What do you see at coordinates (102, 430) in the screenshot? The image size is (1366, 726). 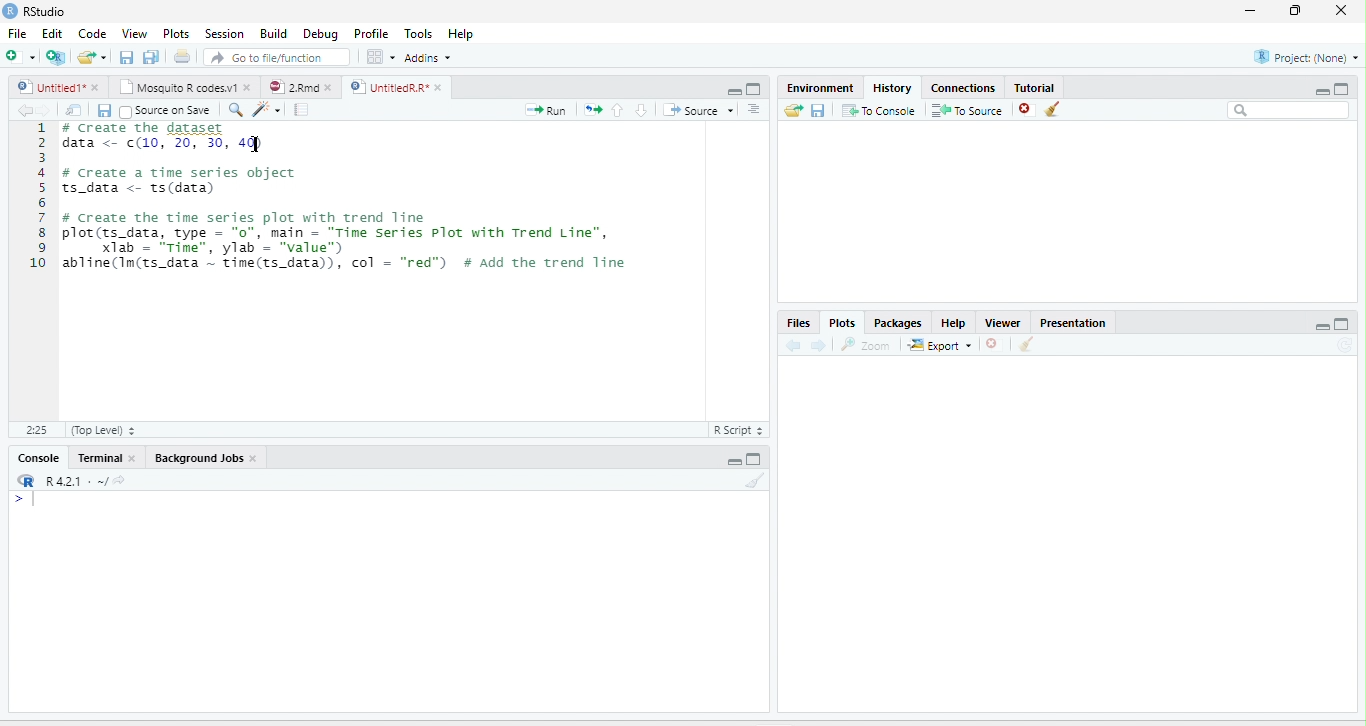 I see `(Top Level)` at bounding box center [102, 430].